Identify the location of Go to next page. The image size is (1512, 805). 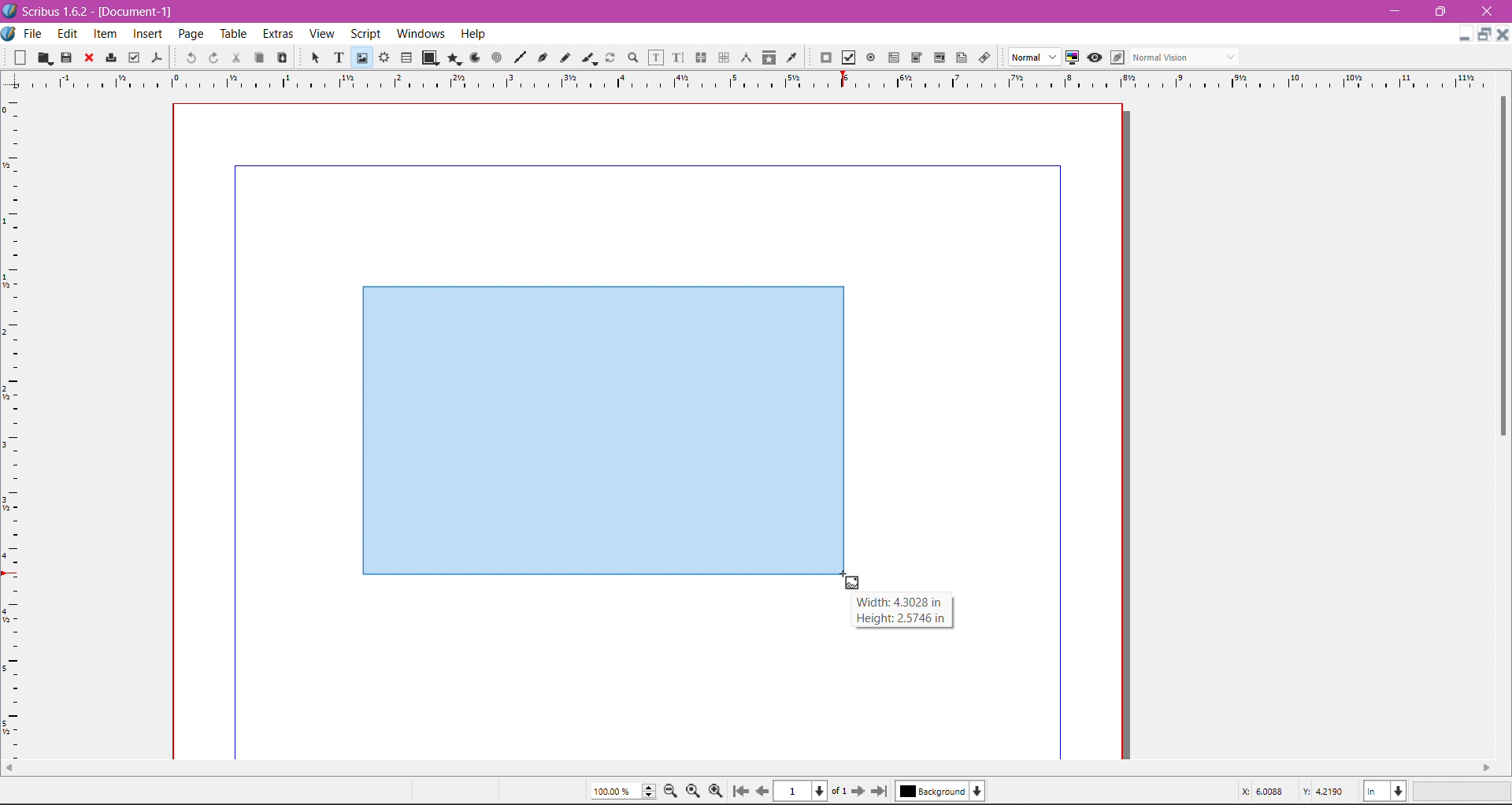
(861, 792).